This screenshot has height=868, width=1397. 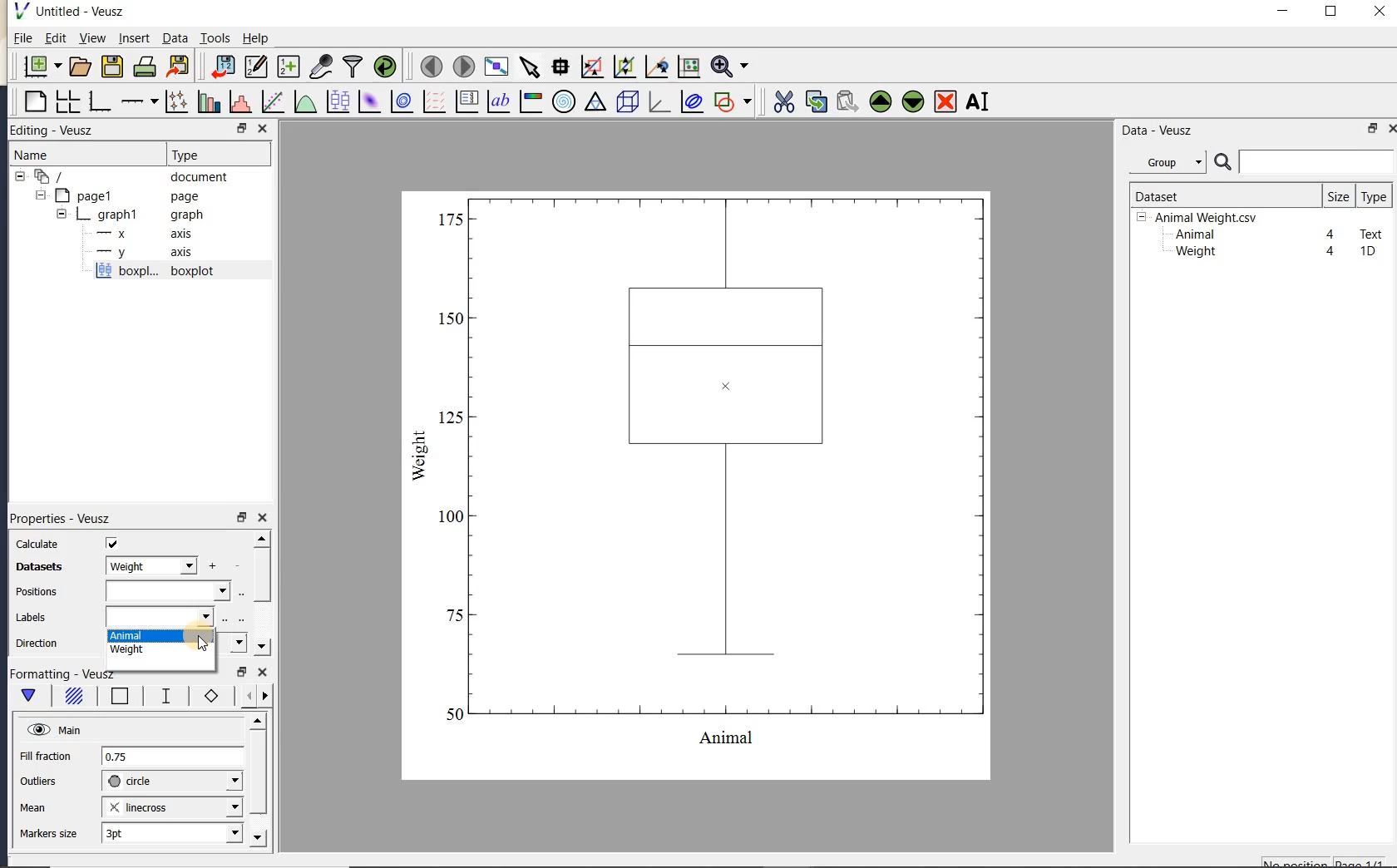 What do you see at coordinates (432, 102) in the screenshot?
I see `plot a vector field` at bounding box center [432, 102].